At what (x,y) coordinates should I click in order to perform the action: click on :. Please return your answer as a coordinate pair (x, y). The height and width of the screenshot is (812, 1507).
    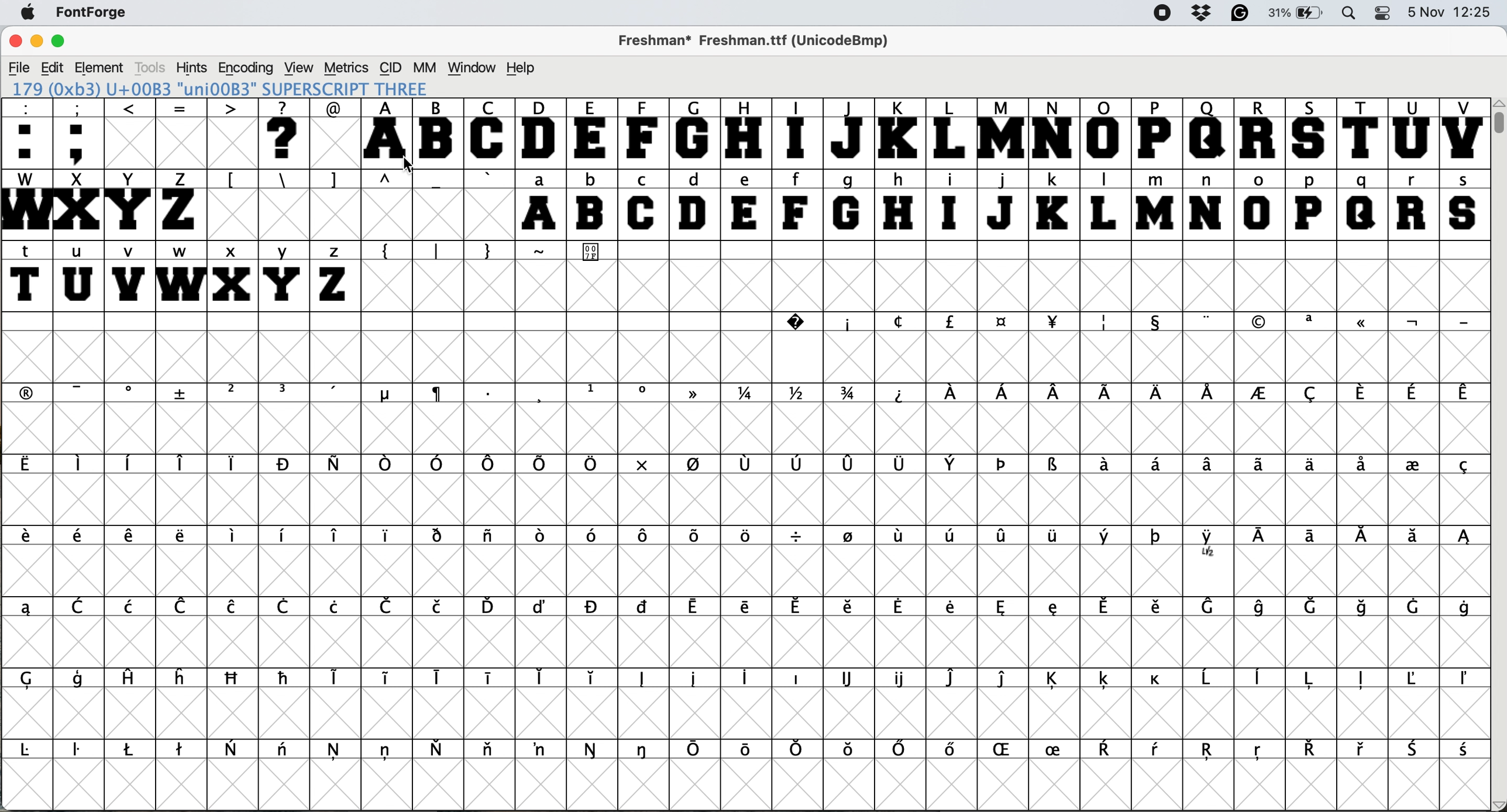
    Looking at the image, I should click on (25, 132).